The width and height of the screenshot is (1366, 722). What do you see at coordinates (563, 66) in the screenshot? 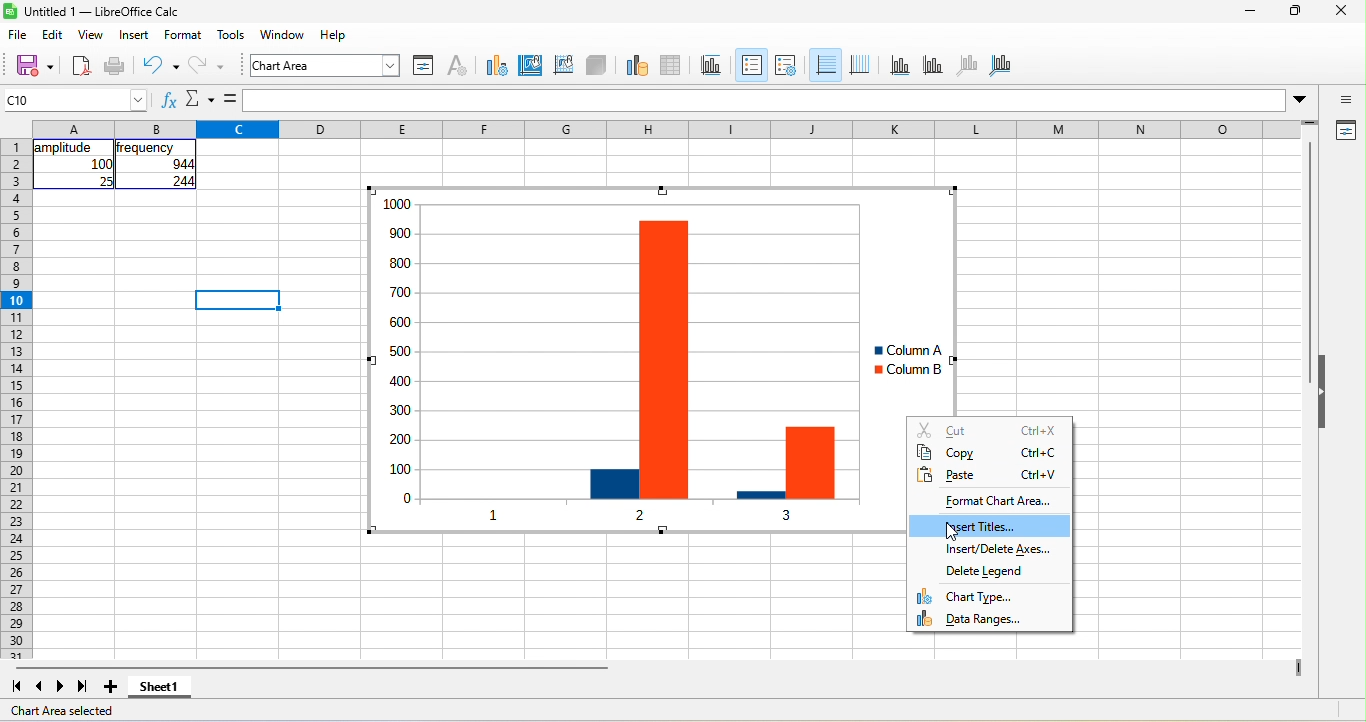
I see `chart wall` at bounding box center [563, 66].